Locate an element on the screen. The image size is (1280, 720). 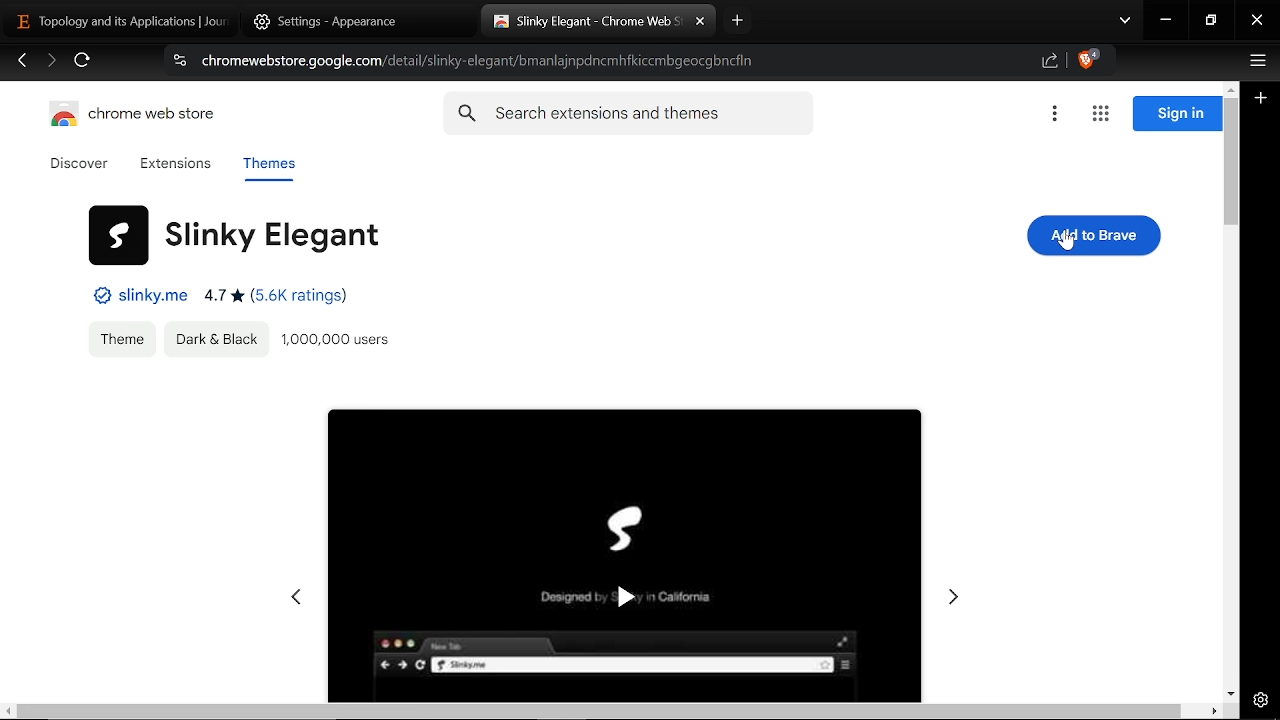
Close is located at coordinates (1257, 22).